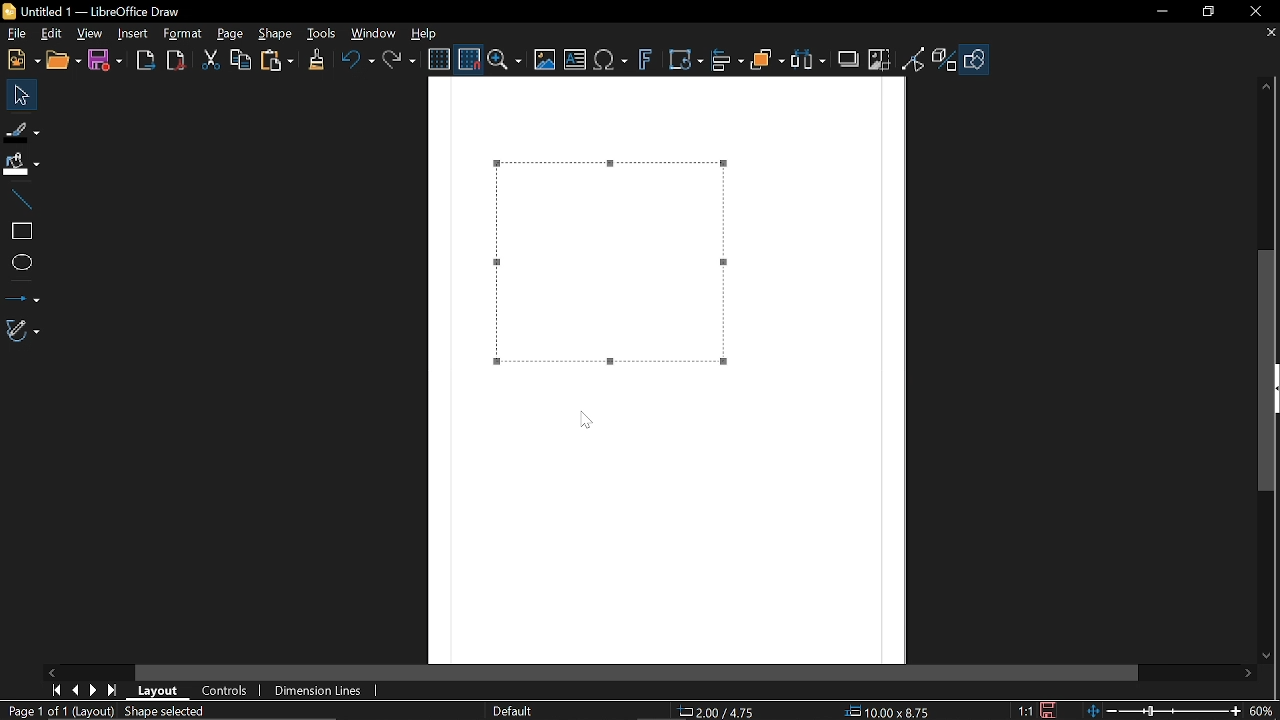  I want to click on Lines and arrows, so click(23, 294).